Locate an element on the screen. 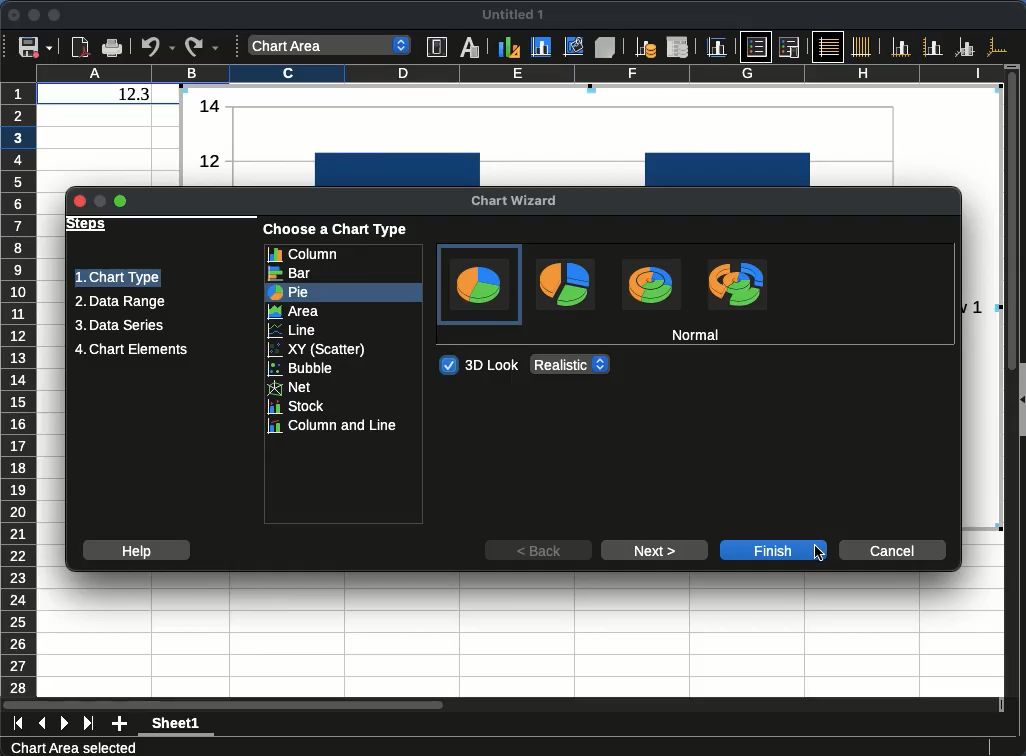 The width and height of the screenshot is (1026, 756). net is located at coordinates (344, 388).